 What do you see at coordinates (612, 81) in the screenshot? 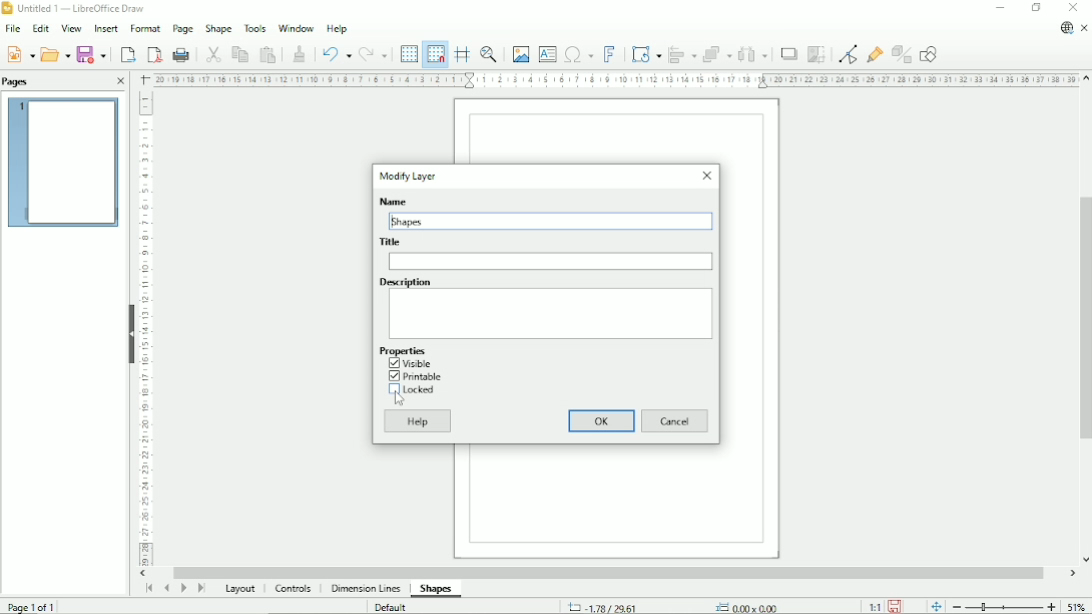
I see `Horizontal scale` at bounding box center [612, 81].